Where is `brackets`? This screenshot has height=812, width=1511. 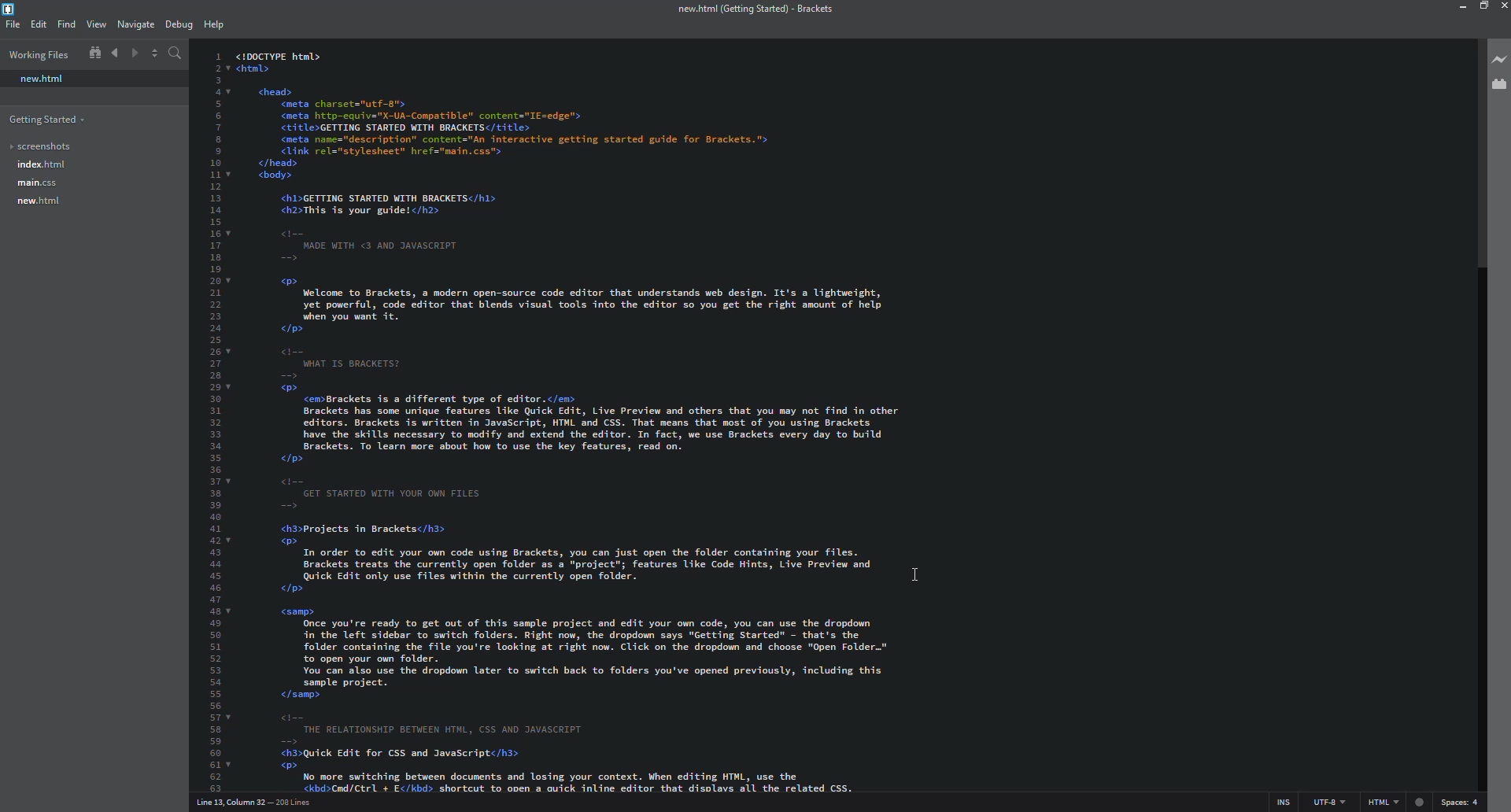
brackets is located at coordinates (753, 10).